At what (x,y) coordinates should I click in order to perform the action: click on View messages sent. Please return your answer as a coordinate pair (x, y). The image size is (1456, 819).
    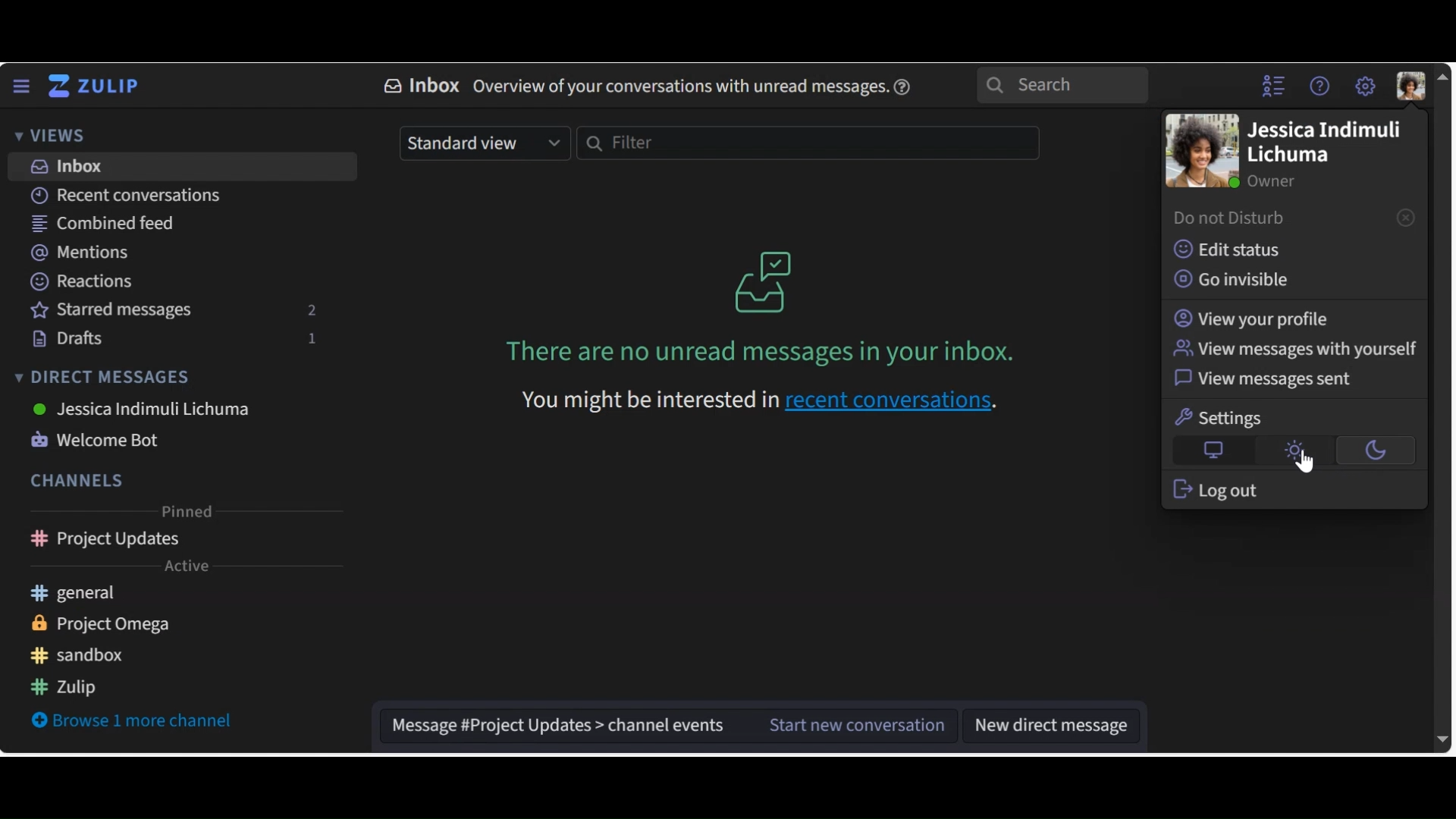
    Looking at the image, I should click on (1269, 381).